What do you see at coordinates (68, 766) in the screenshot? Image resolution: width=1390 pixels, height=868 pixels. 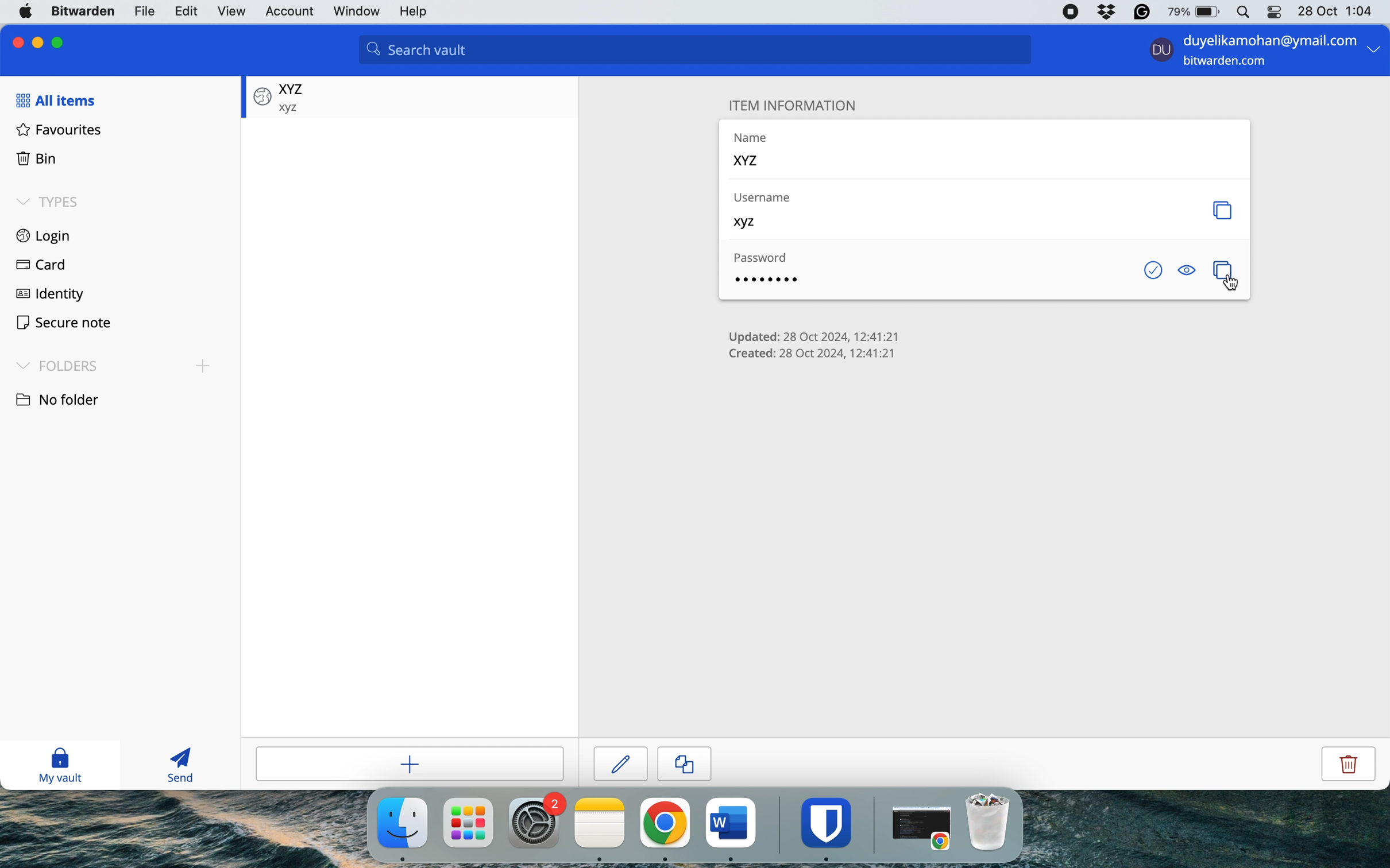 I see `my vault` at bounding box center [68, 766].